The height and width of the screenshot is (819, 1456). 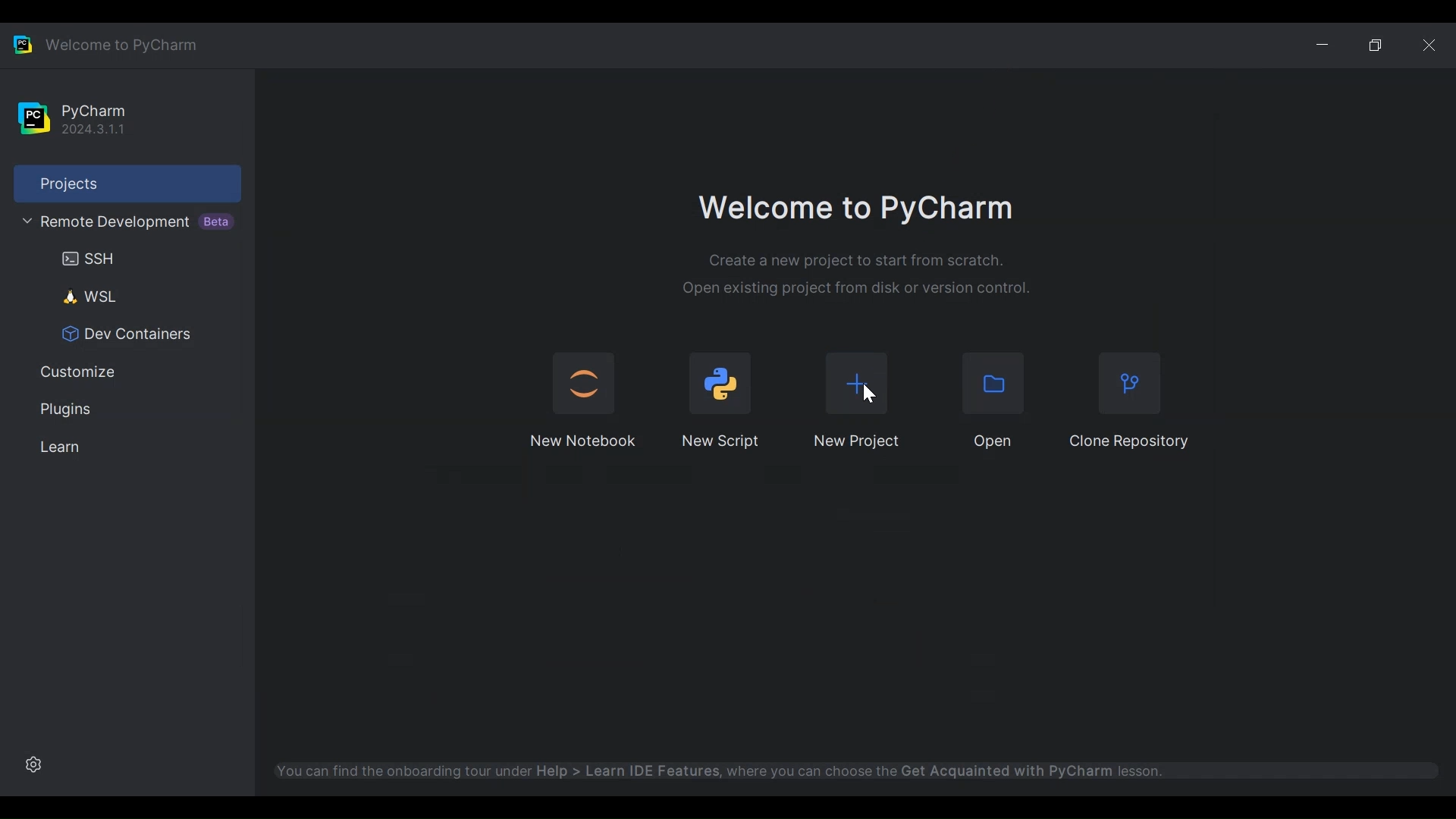 What do you see at coordinates (856, 210) in the screenshot?
I see `Welcome to PyCharm` at bounding box center [856, 210].